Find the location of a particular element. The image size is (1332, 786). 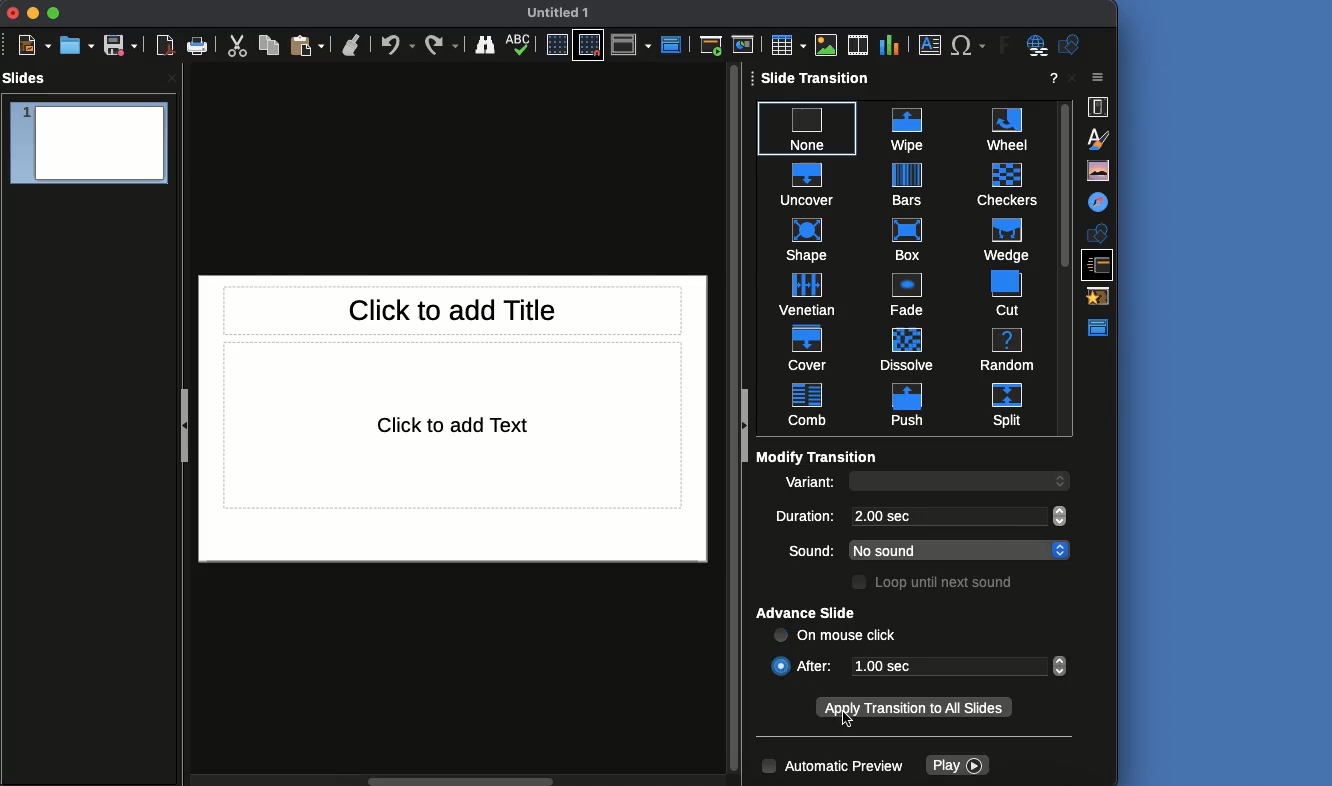

Image is located at coordinates (827, 43).